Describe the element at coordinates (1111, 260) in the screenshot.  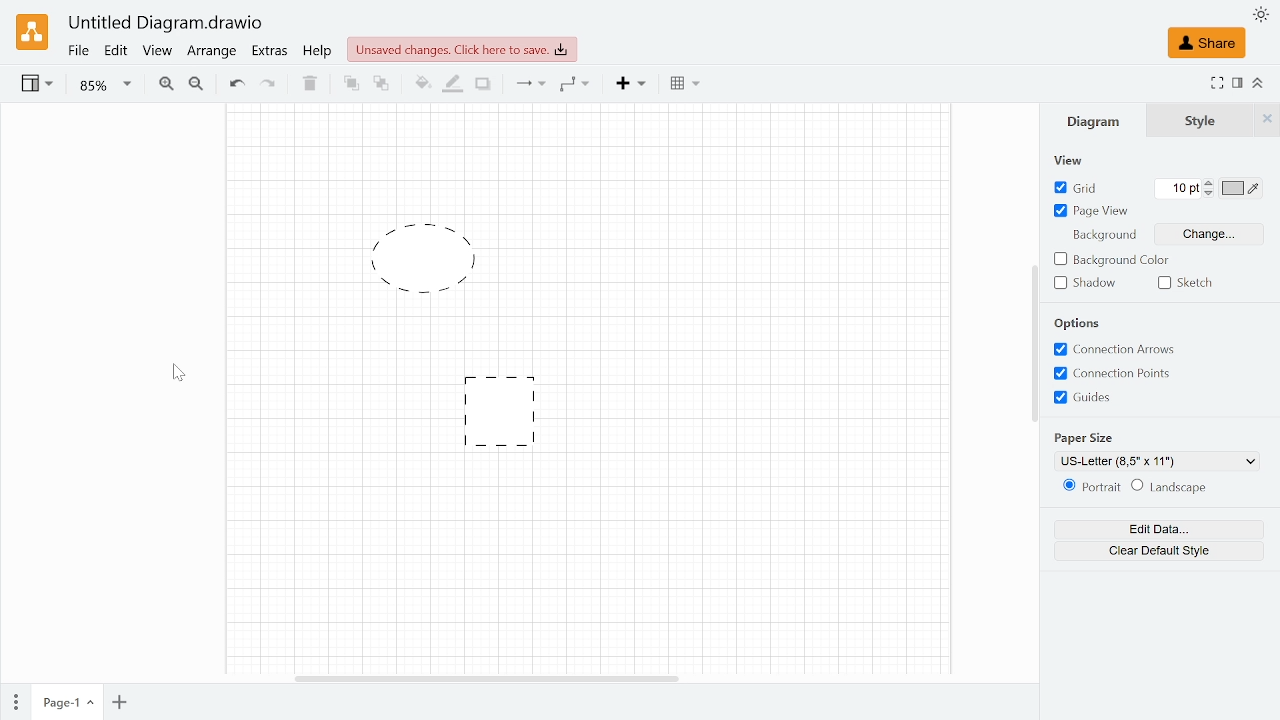
I see `Background color` at that location.